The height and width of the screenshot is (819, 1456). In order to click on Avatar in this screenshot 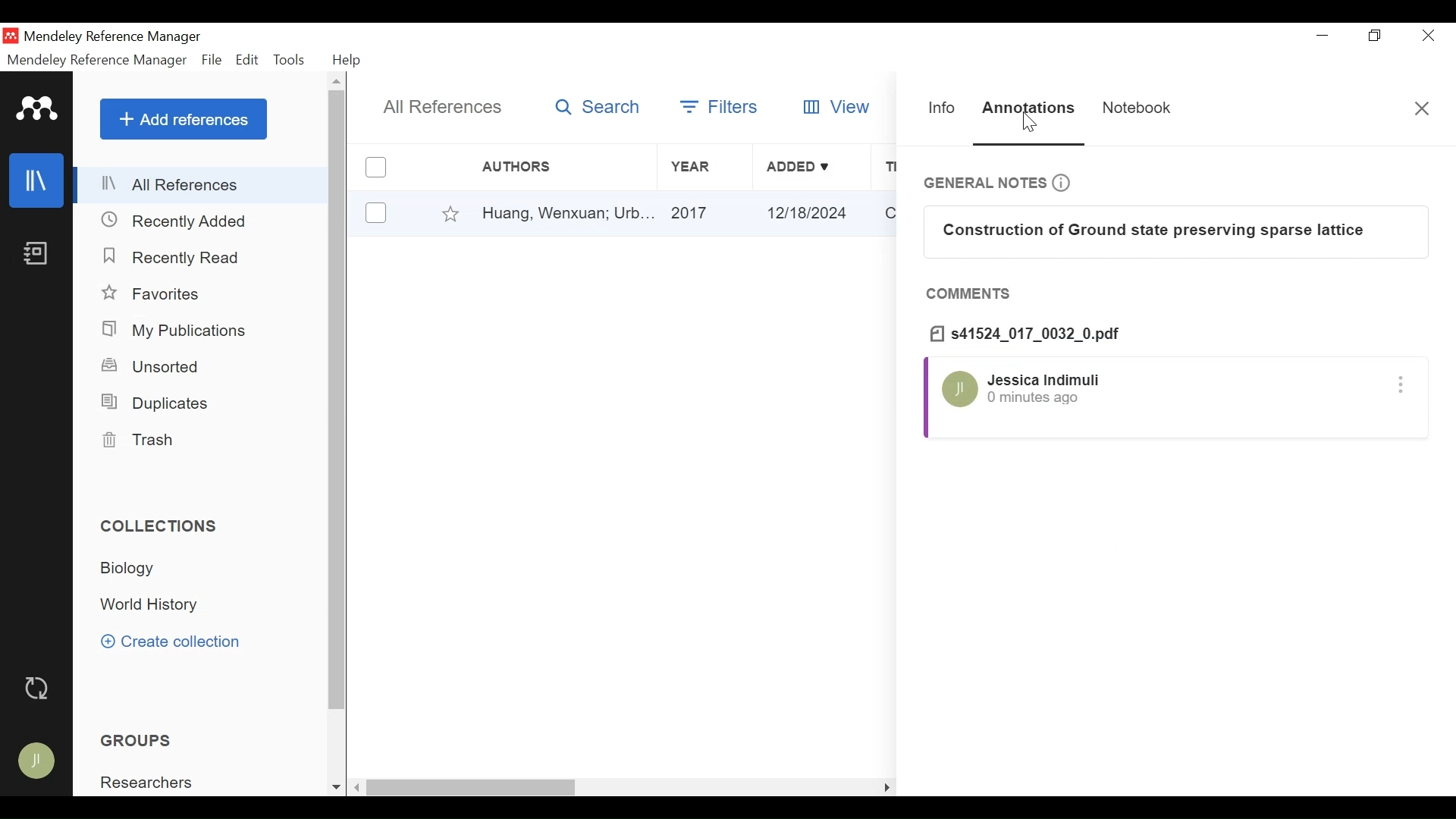, I will do `click(39, 761)`.